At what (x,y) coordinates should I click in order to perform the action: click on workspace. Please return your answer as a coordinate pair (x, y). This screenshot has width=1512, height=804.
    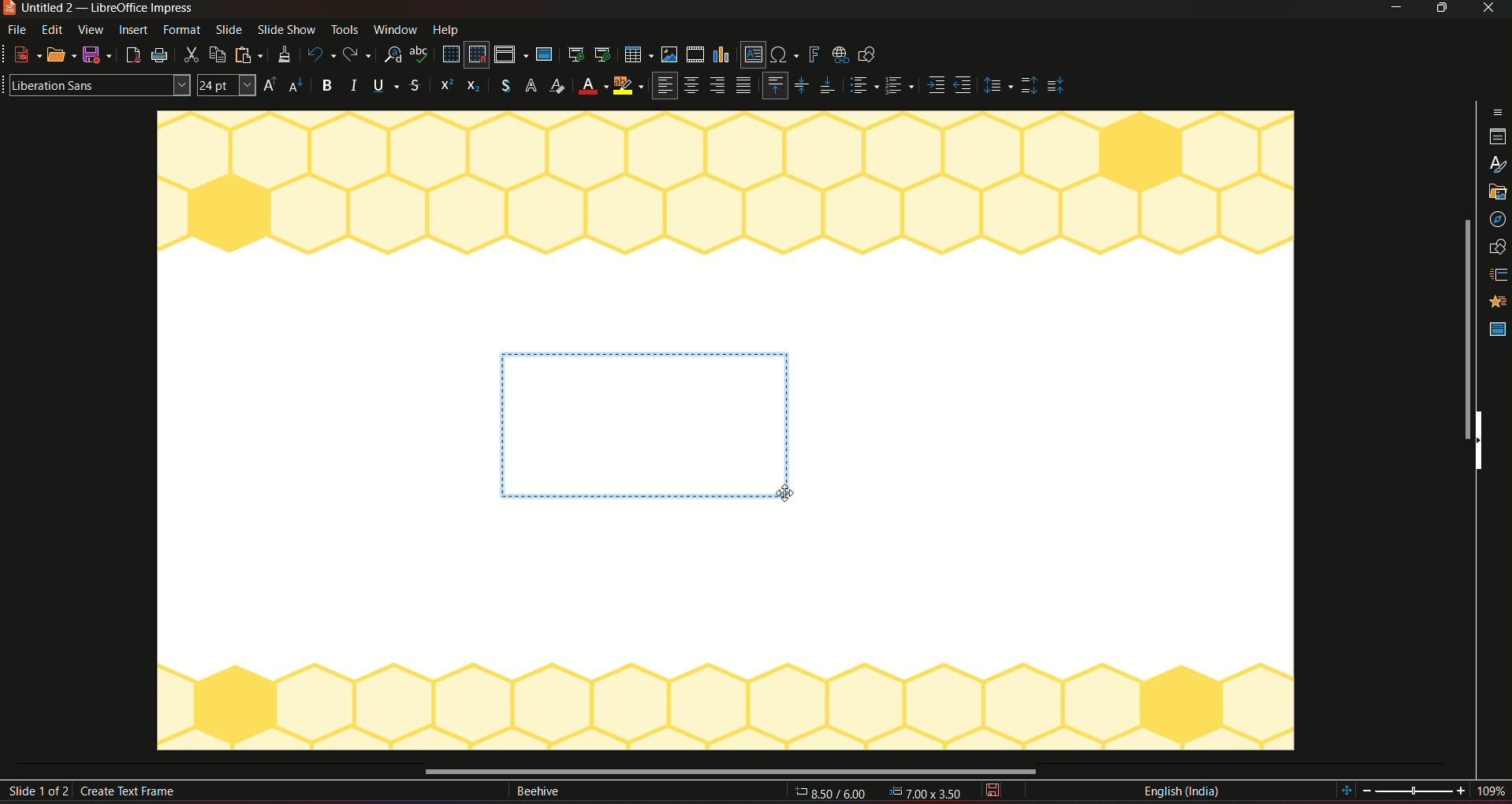
    Looking at the image, I should click on (724, 225).